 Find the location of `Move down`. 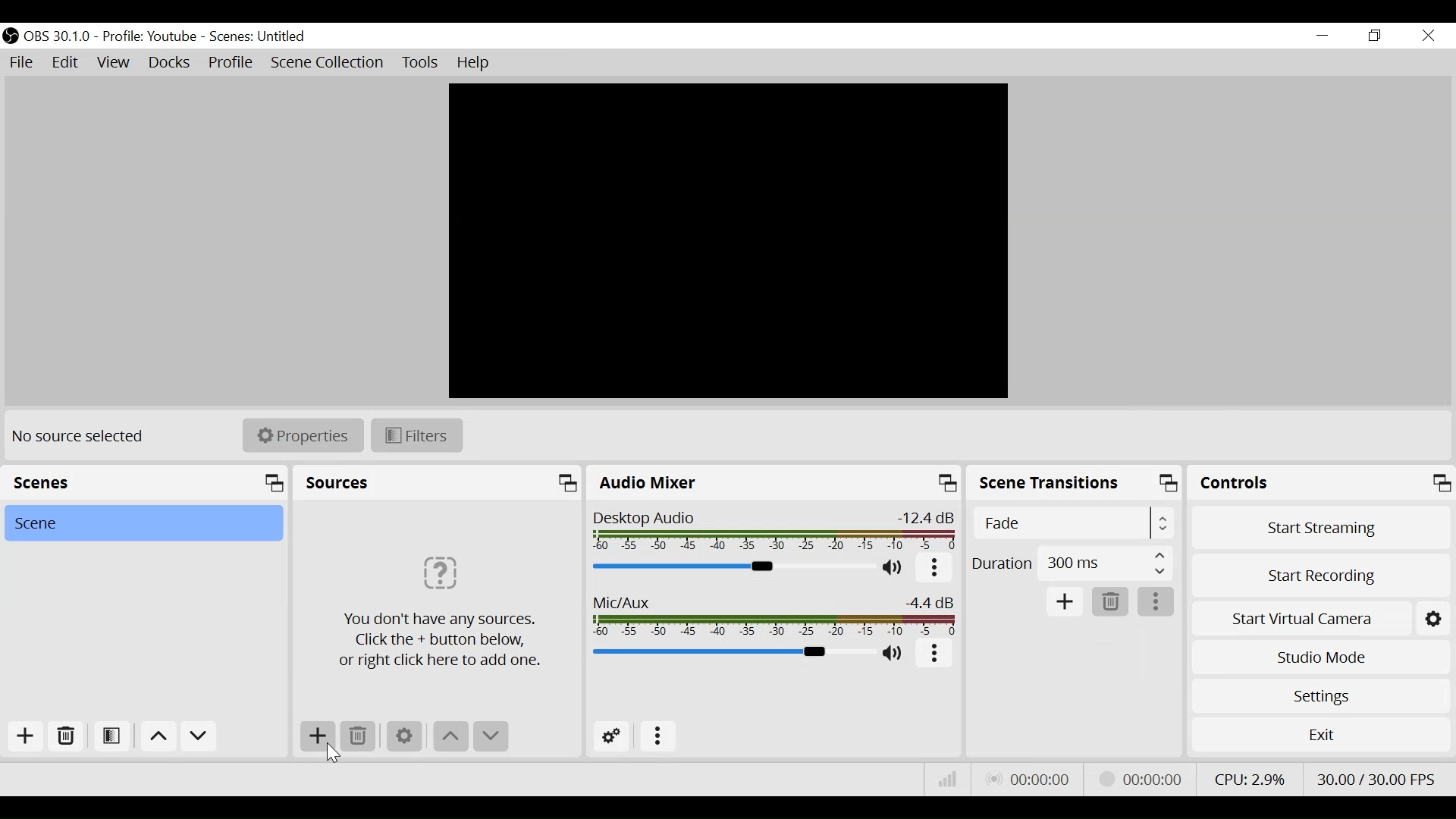

Move down is located at coordinates (491, 737).